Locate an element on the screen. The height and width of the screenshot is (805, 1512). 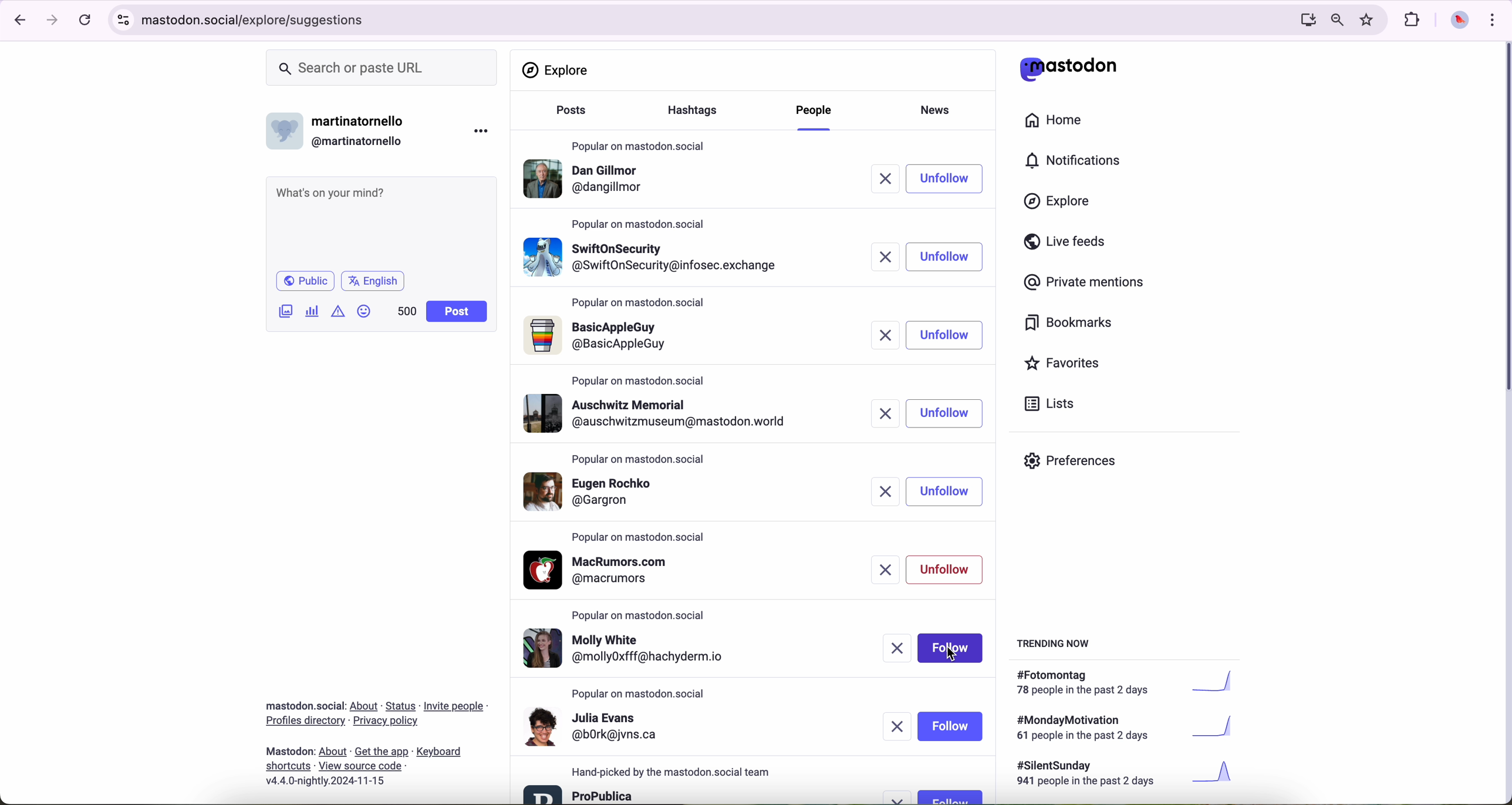
attach image is located at coordinates (286, 311).